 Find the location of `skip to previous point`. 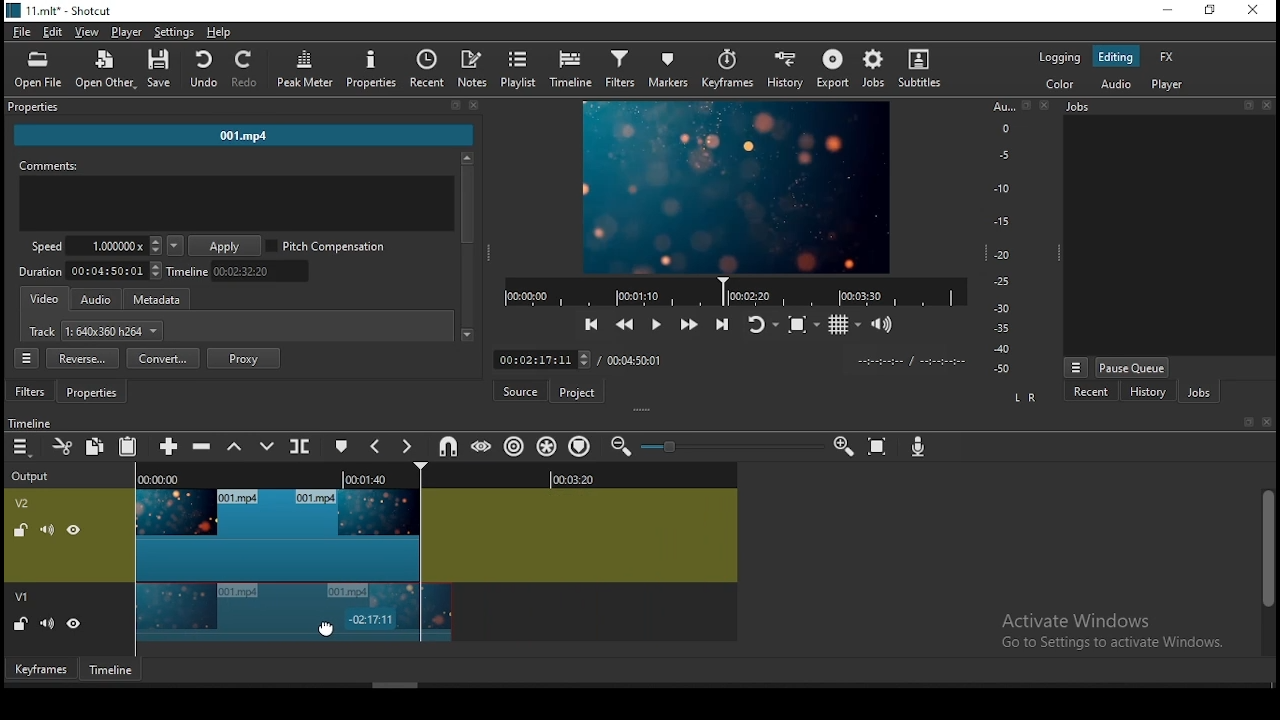

skip to previous point is located at coordinates (591, 322).